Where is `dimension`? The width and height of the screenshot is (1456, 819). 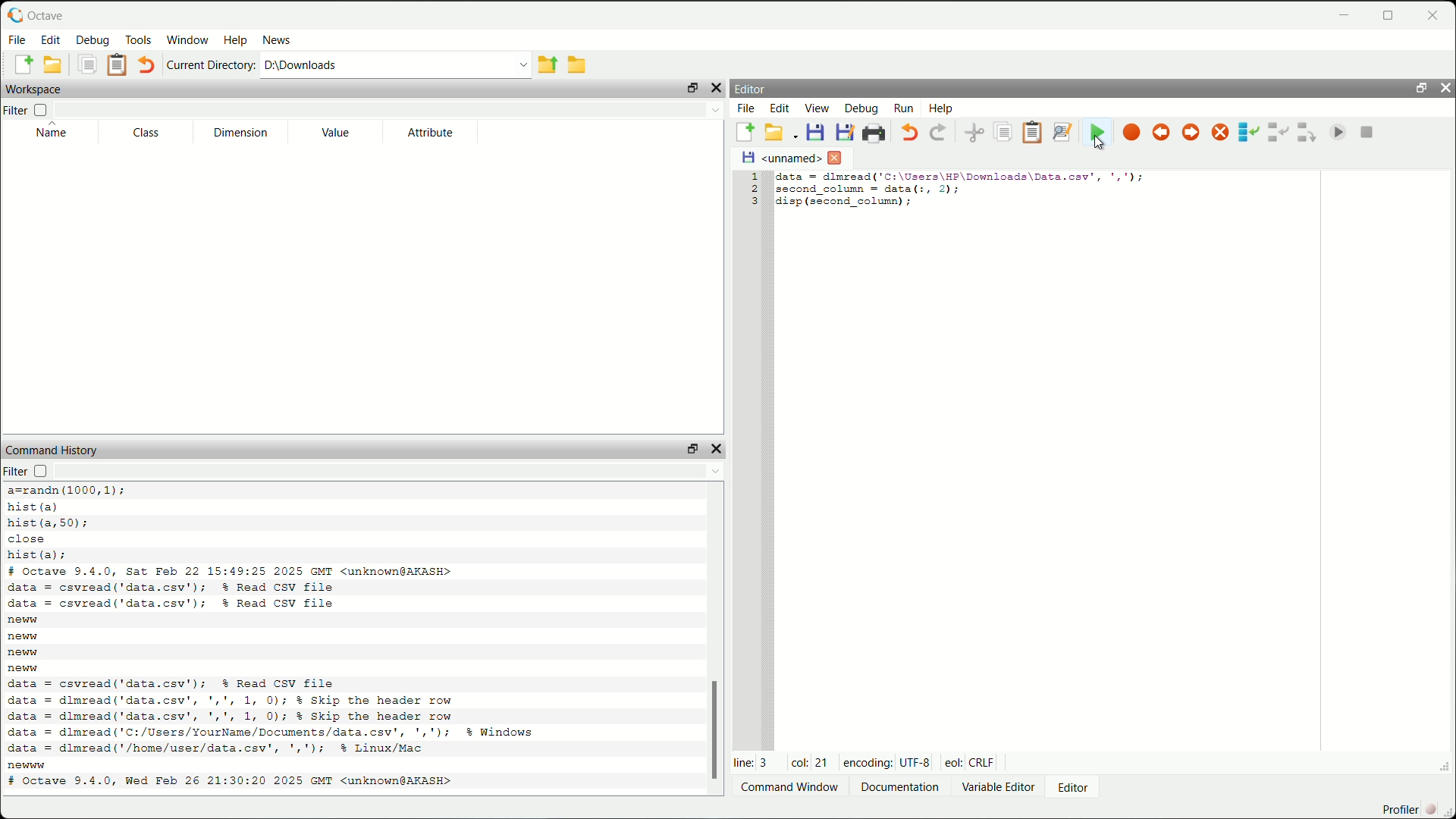
dimension is located at coordinates (237, 133).